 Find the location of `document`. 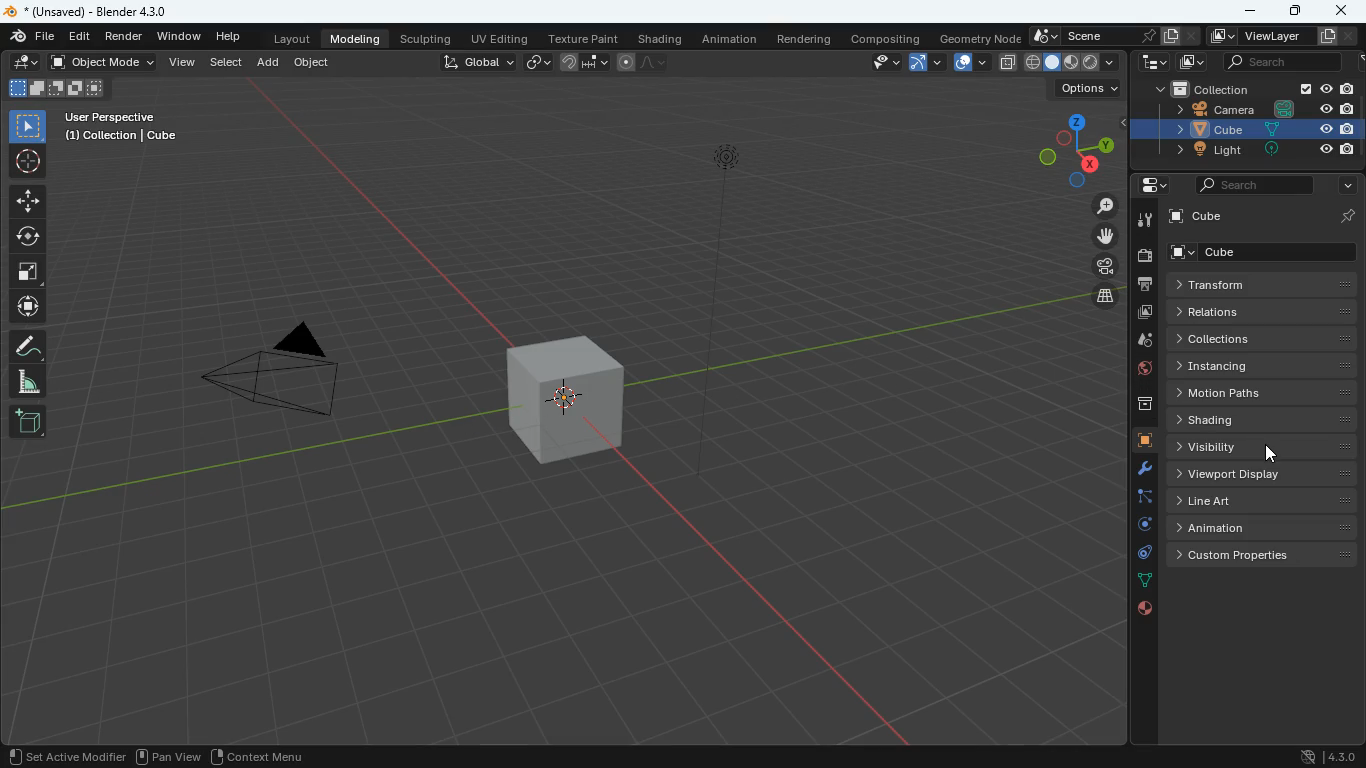

document is located at coordinates (1182, 36).